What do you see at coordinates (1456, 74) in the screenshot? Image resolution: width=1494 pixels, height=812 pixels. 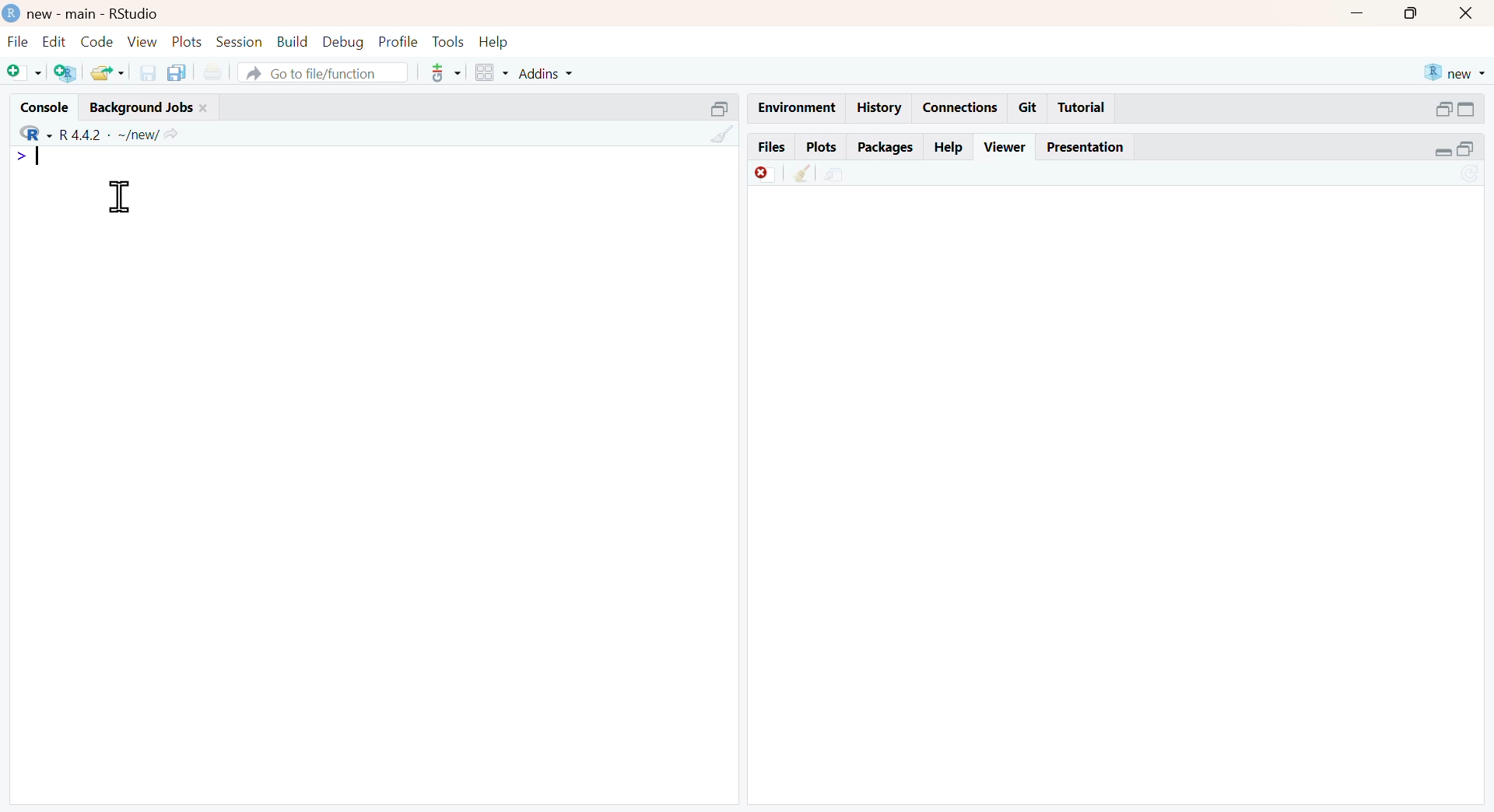 I see `new` at bounding box center [1456, 74].